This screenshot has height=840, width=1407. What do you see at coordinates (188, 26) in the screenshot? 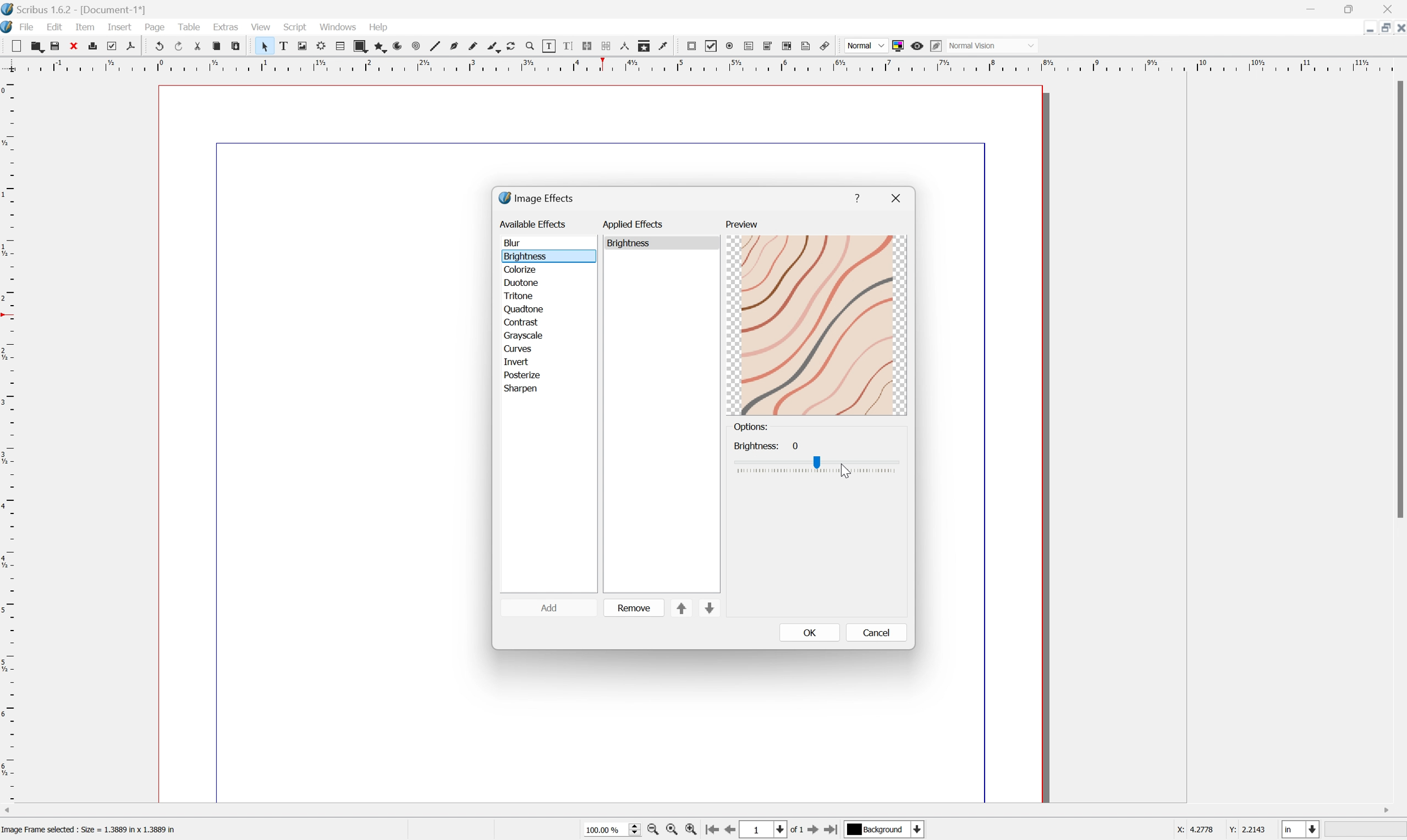
I see `Table` at bounding box center [188, 26].